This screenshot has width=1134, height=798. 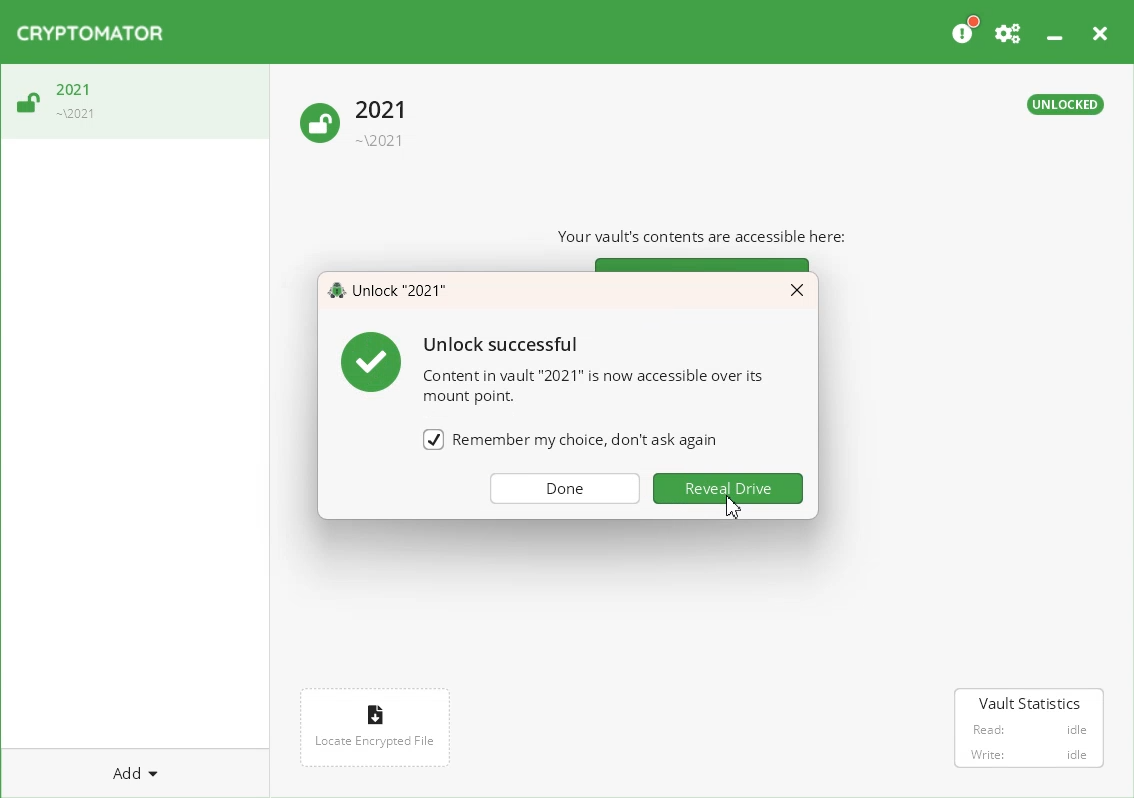 I want to click on Your vault's contents are accessible here:, so click(x=711, y=236).